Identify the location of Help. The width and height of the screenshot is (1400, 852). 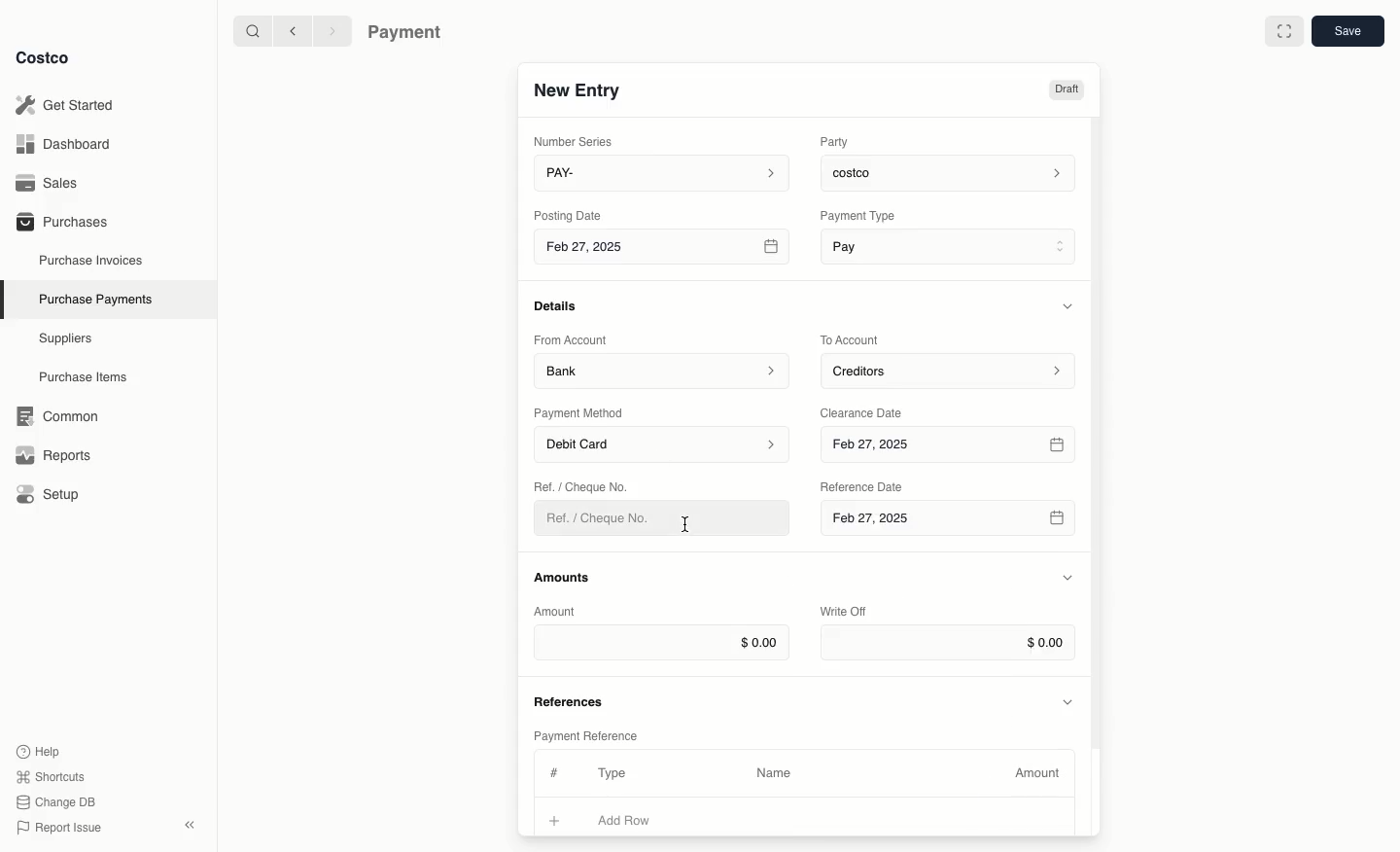
(38, 750).